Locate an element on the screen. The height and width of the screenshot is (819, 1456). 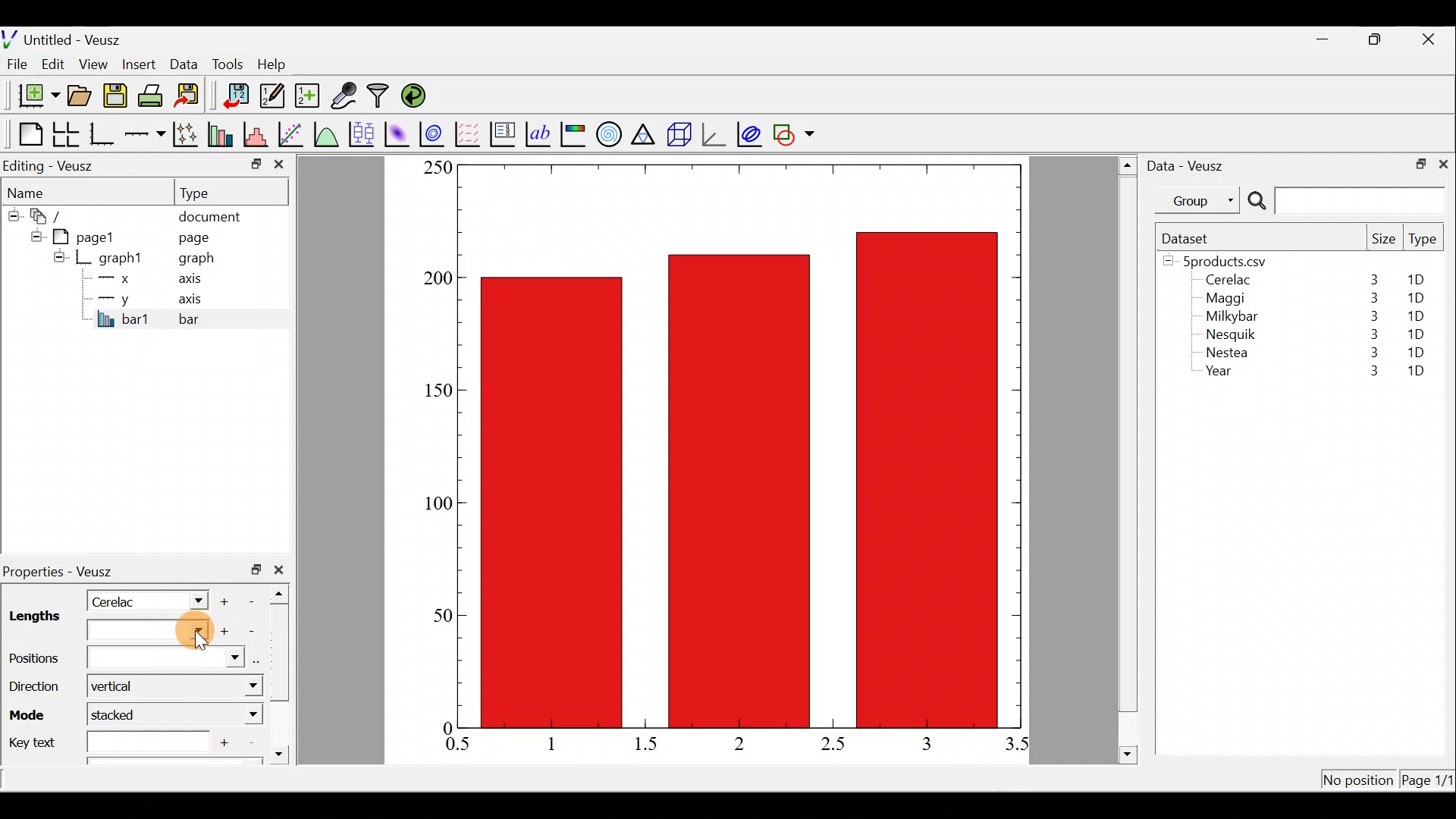
page is located at coordinates (193, 237).